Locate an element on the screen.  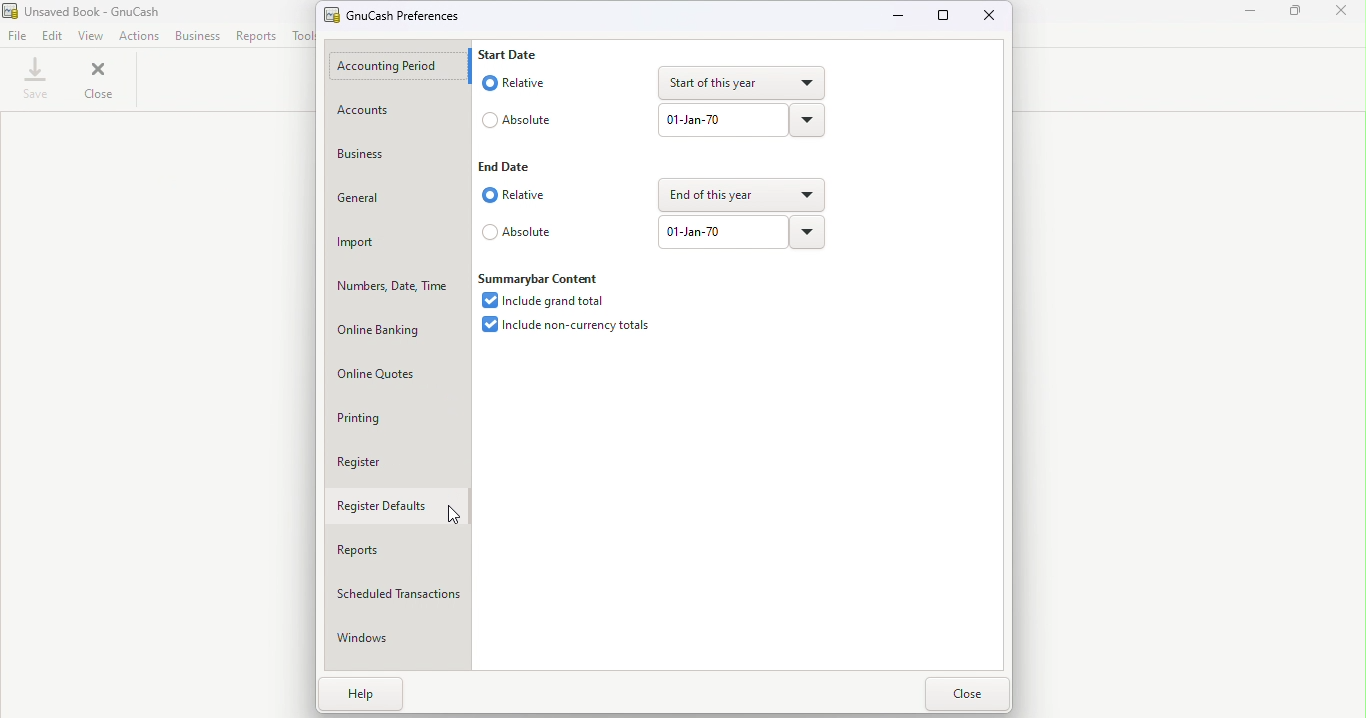
Reports is located at coordinates (254, 36).